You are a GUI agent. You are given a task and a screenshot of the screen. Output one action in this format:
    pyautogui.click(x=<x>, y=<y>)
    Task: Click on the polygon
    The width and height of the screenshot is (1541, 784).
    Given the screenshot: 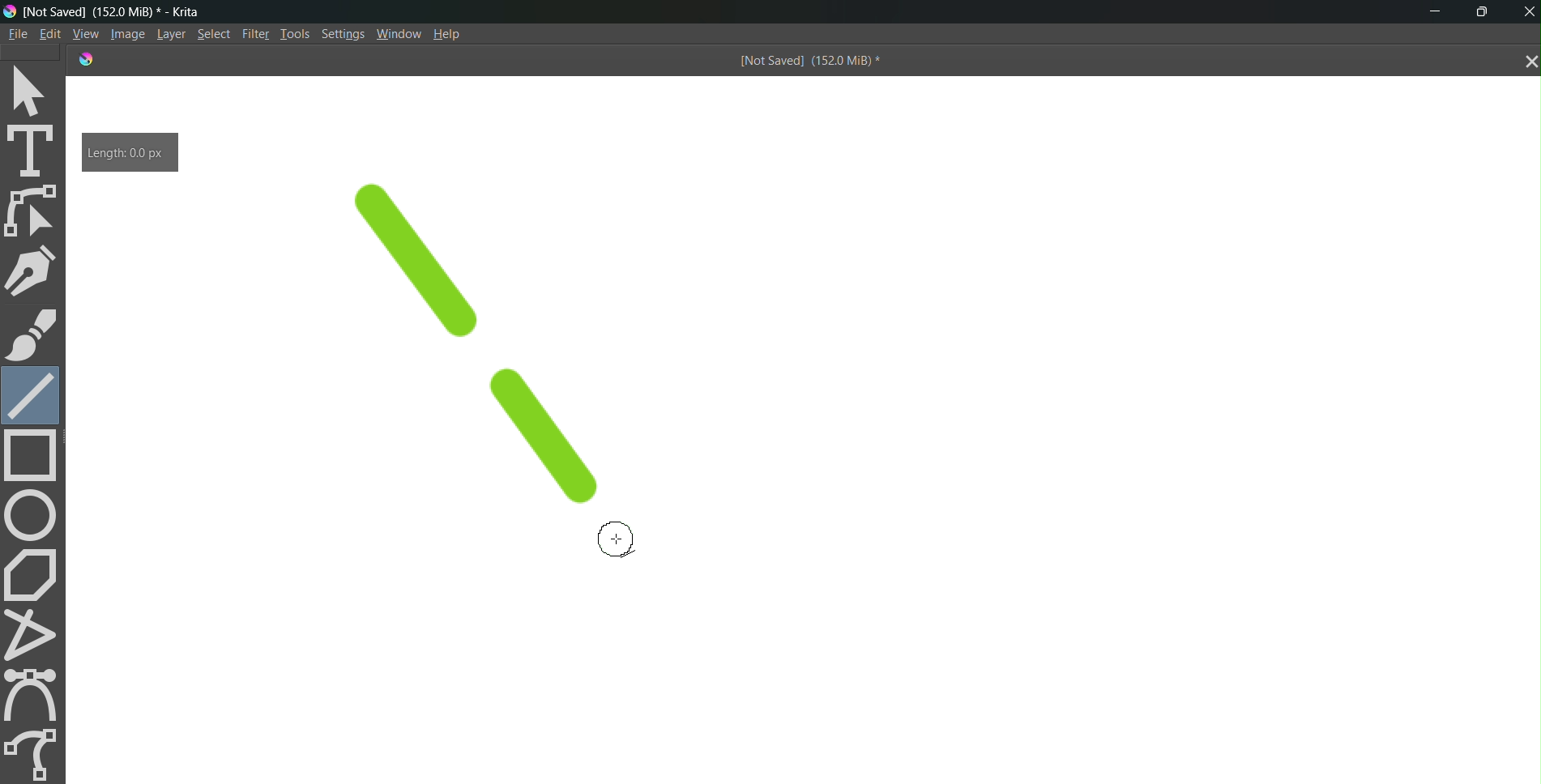 What is the action you would take?
    pyautogui.click(x=34, y=573)
    